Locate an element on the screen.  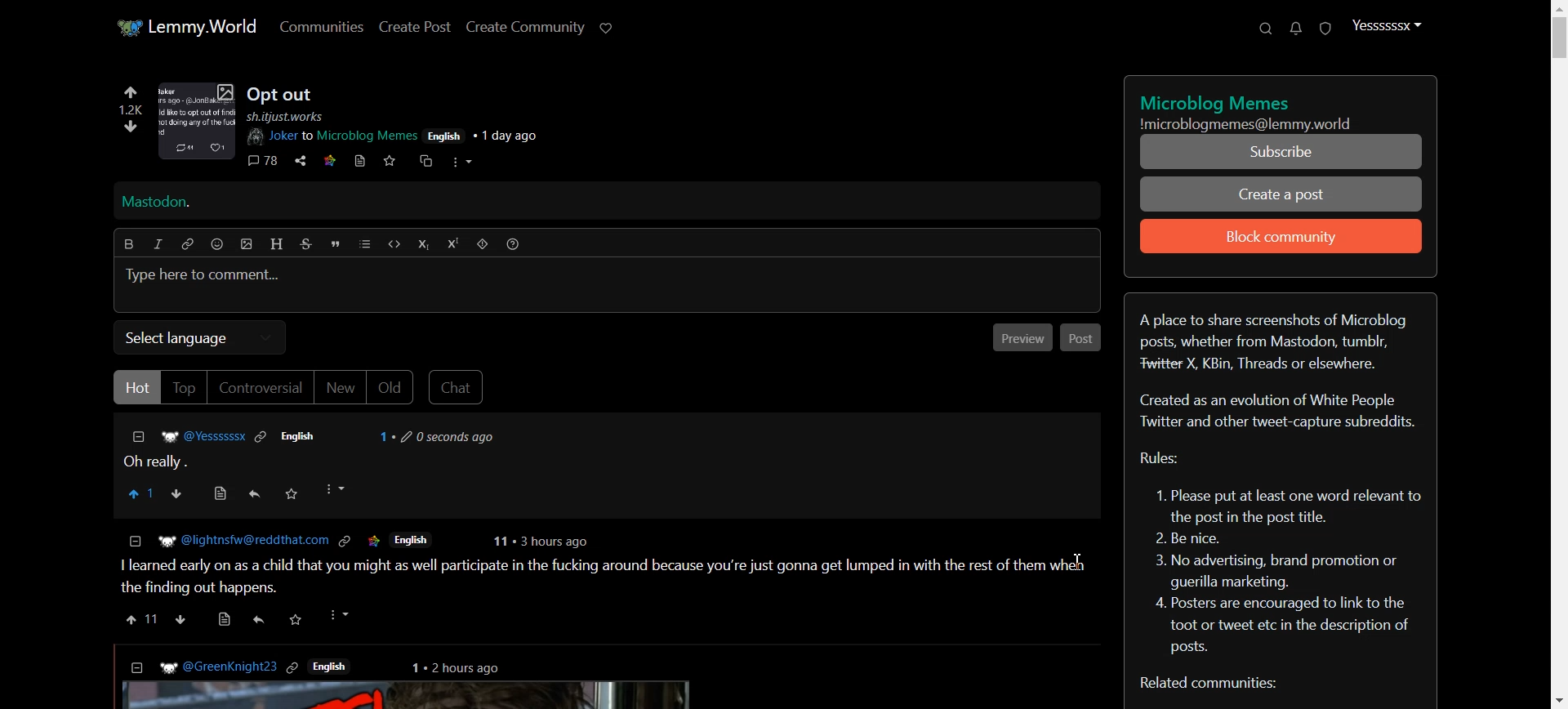
Text Cursor is located at coordinates (1076, 562).